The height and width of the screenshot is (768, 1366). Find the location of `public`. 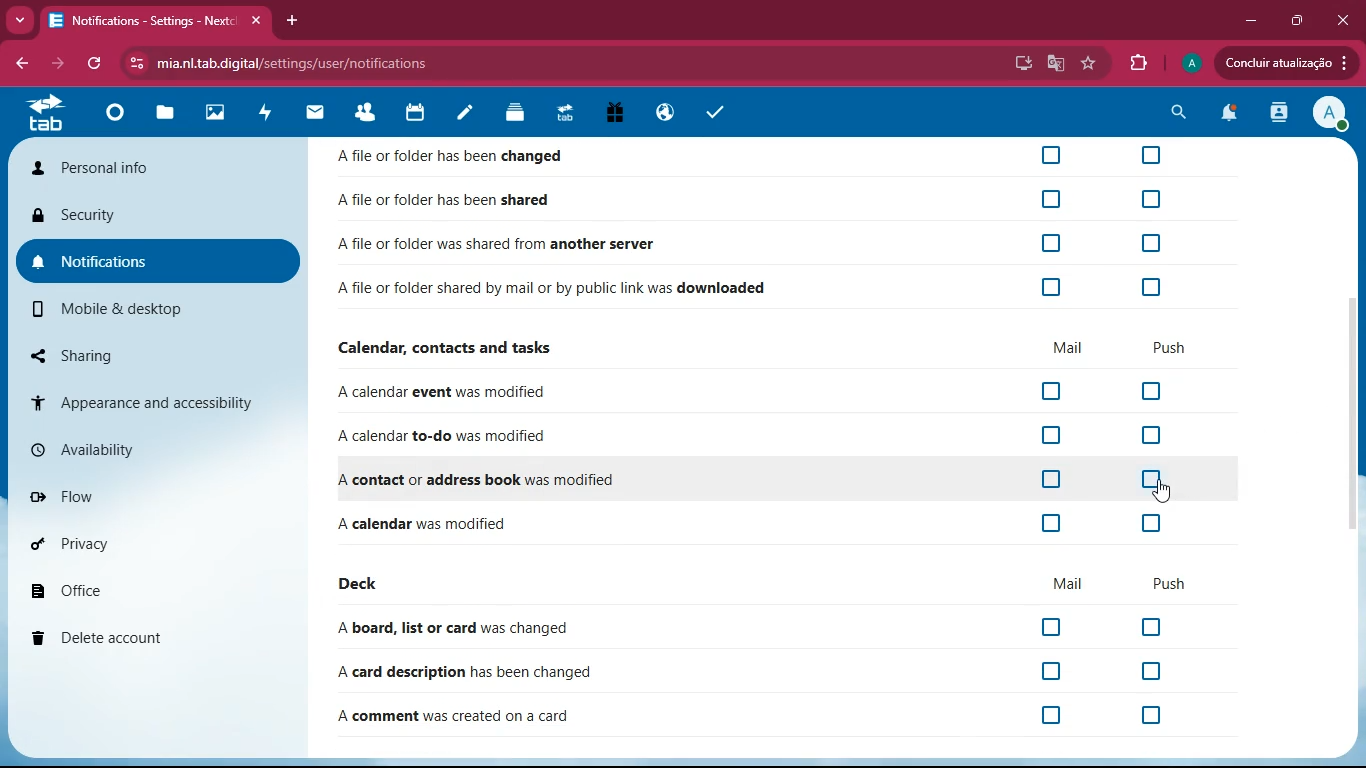

public is located at coordinates (664, 113).